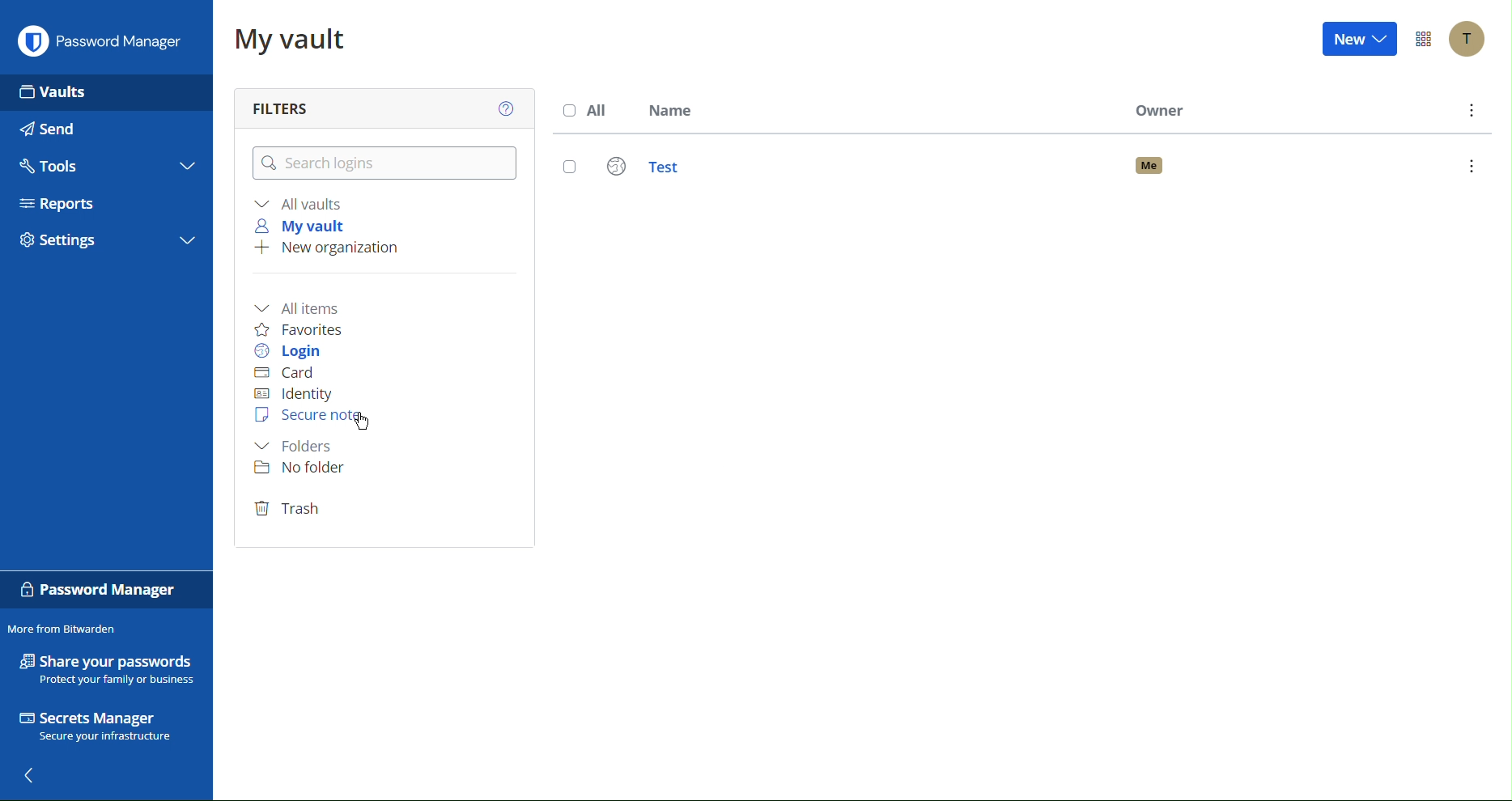 This screenshot has height=801, width=1512. I want to click on New organization, so click(334, 248).